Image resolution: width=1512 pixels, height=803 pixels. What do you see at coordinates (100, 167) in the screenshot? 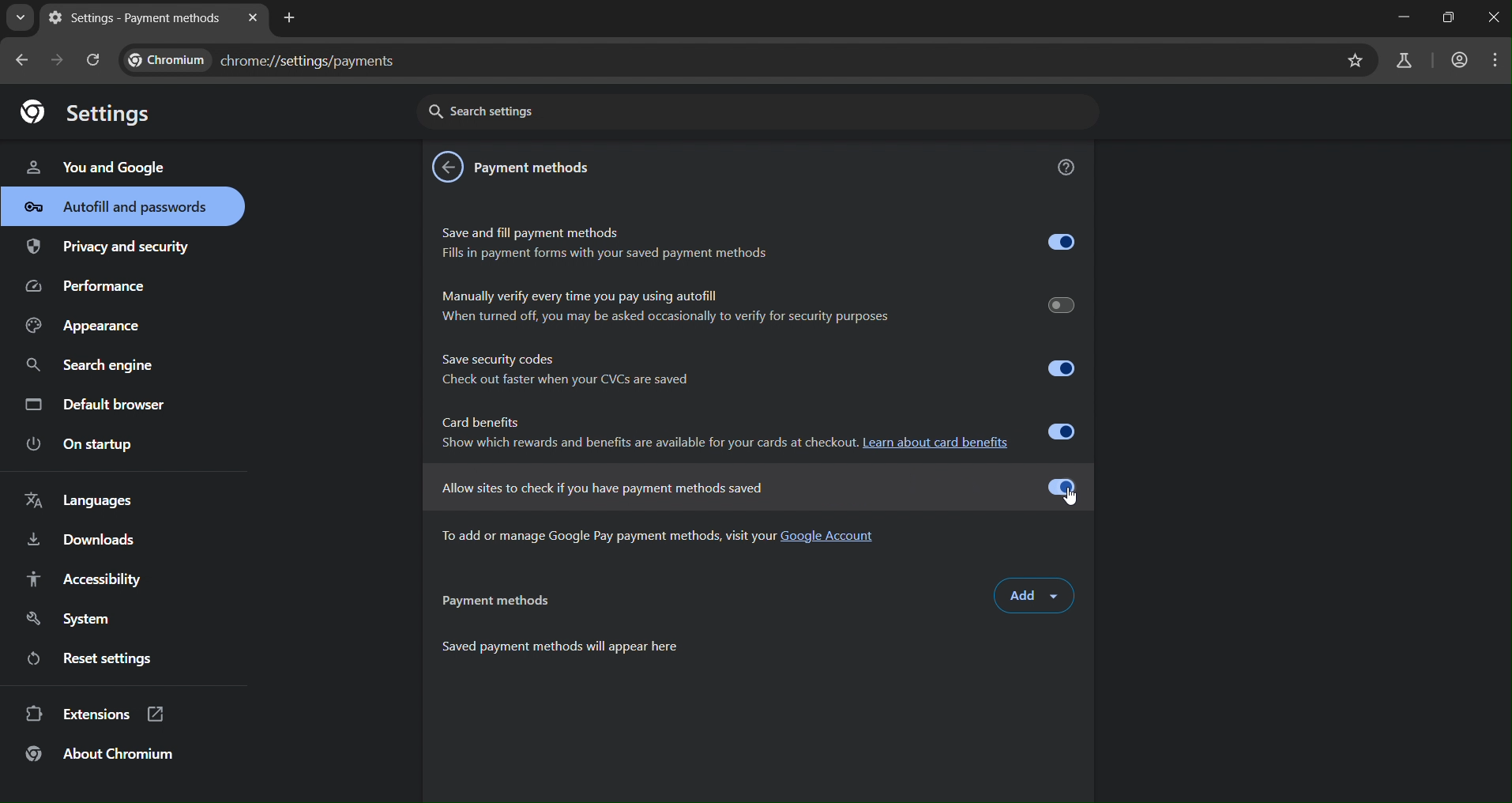
I see `you & google` at bounding box center [100, 167].